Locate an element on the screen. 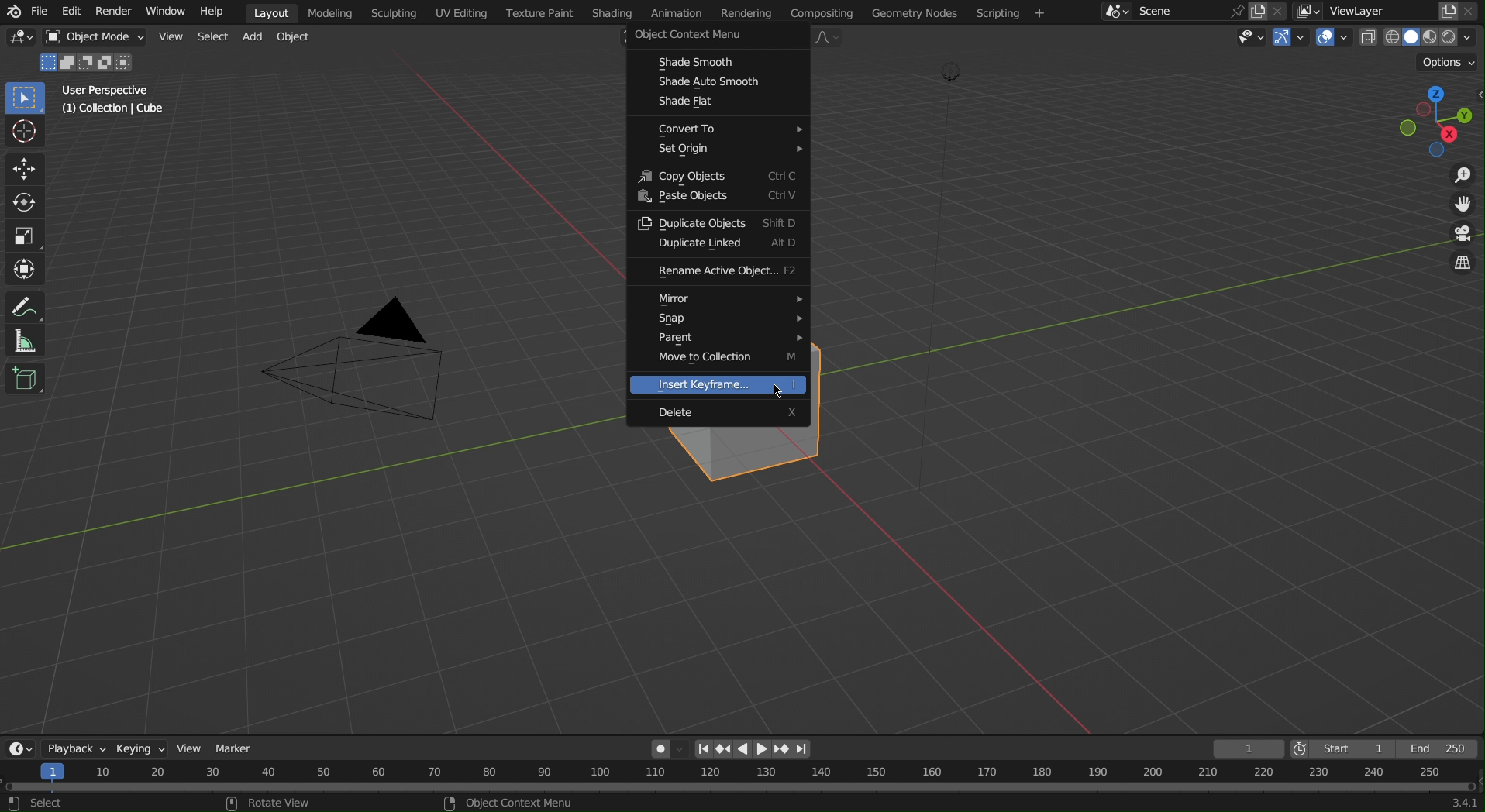 The height and width of the screenshot is (812, 1485). Snap is located at coordinates (718, 318).